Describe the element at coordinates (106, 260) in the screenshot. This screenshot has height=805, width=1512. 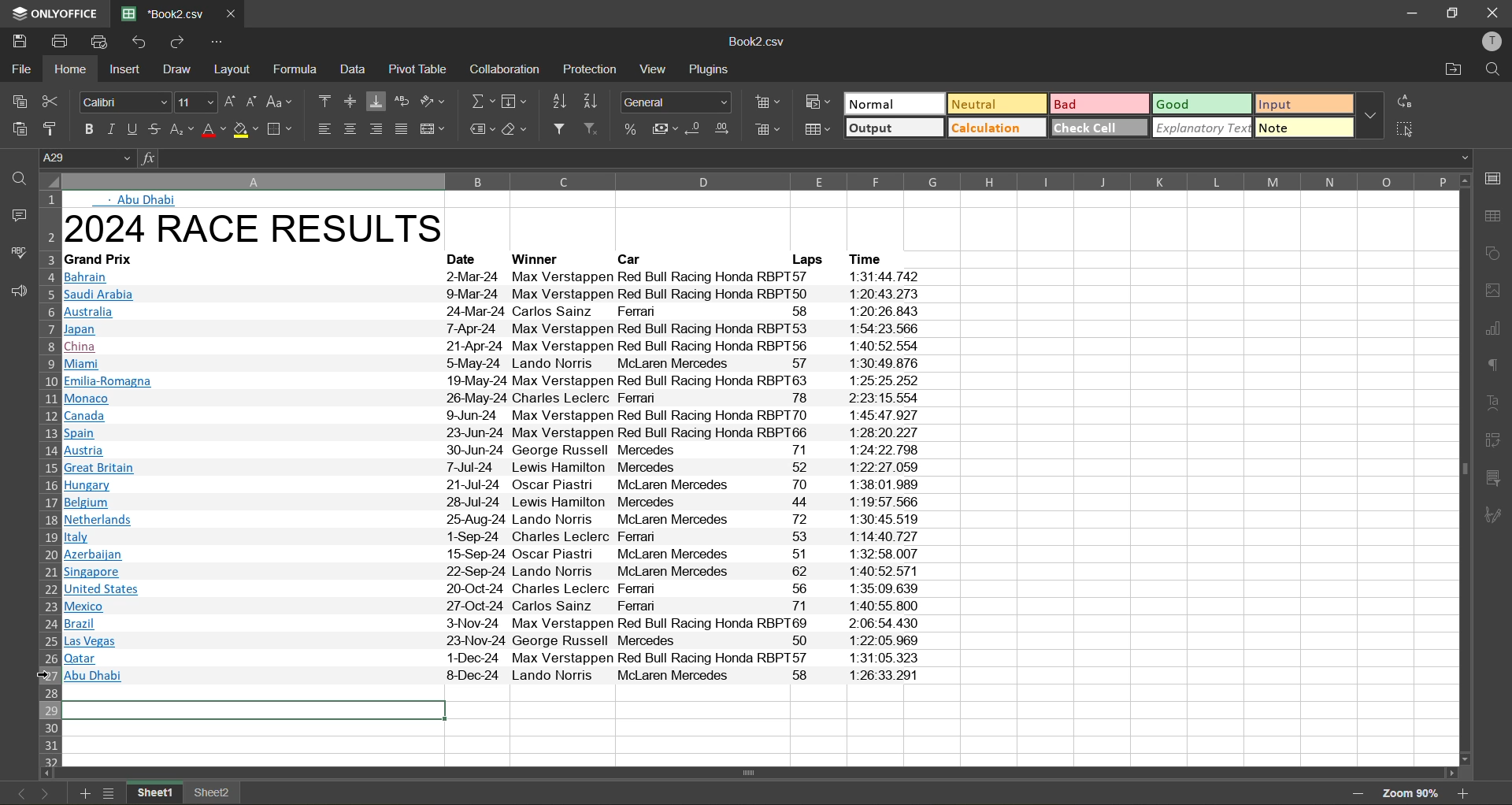
I see `text info` at that location.